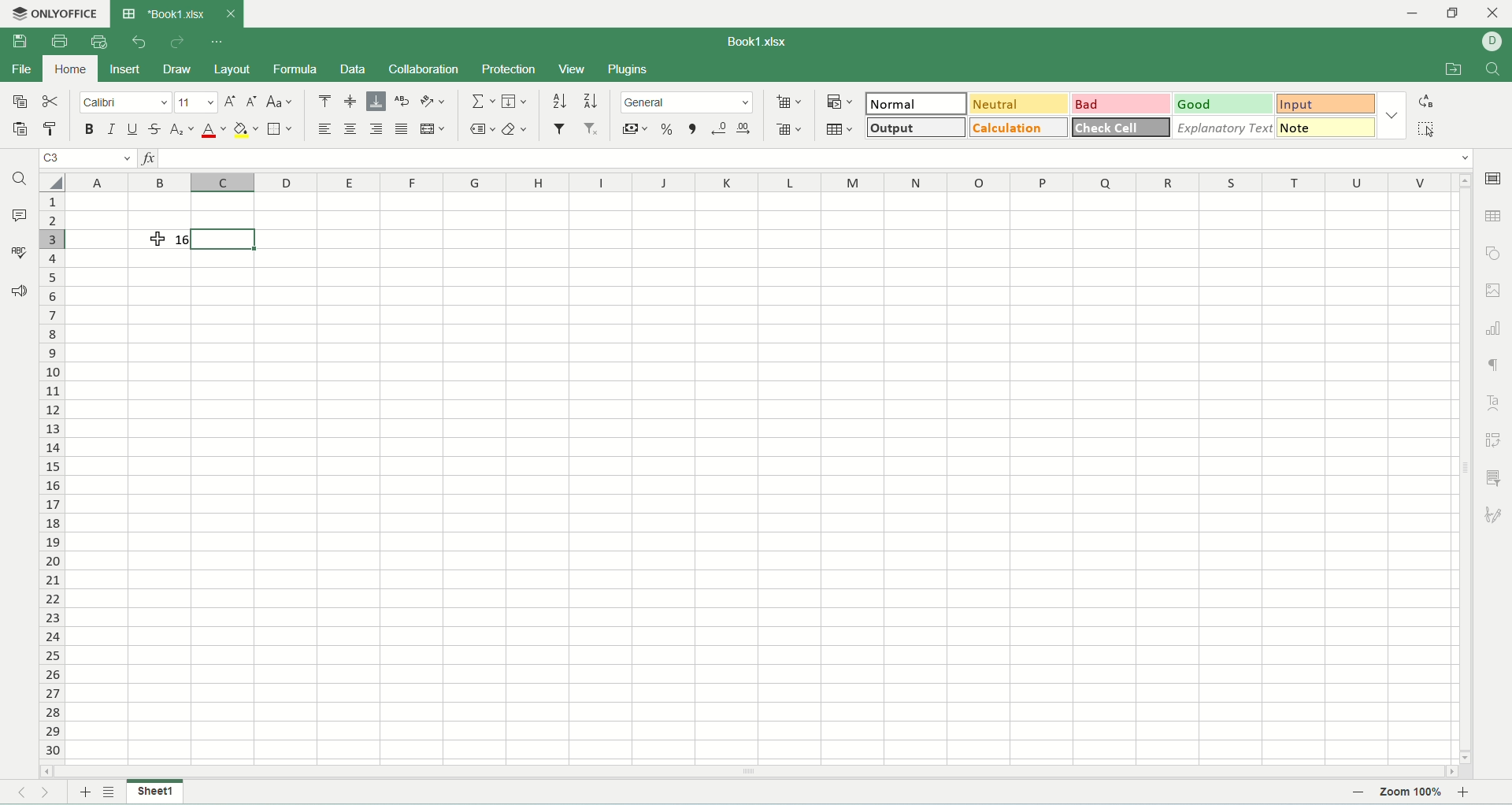 The height and width of the screenshot is (805, 1512). Describe the element at coordinates (351, 129) in the screenshot. I see `align center` at that location.